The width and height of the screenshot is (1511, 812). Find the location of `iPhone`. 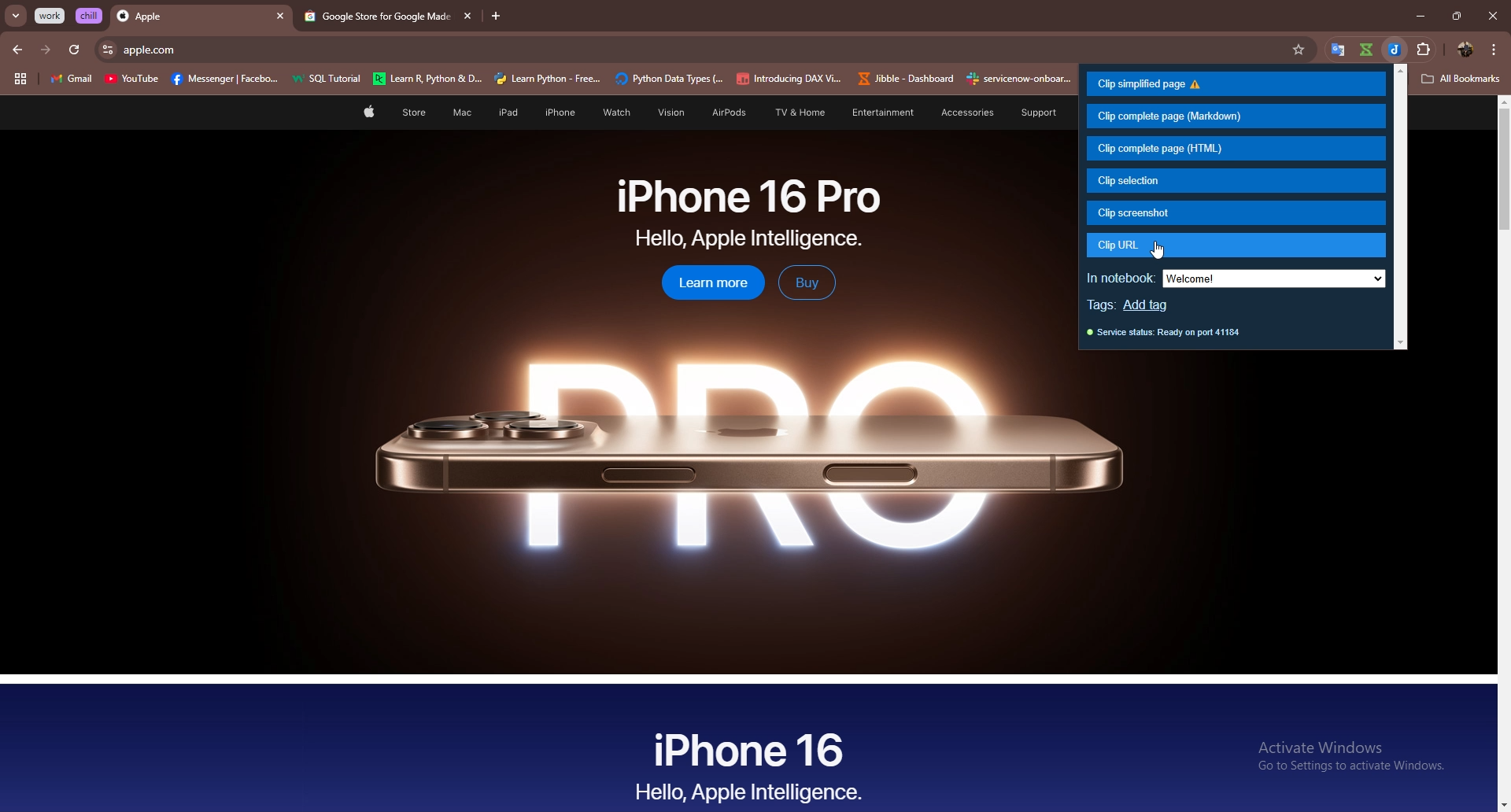

iPhone is located at coordinates (560, 113).